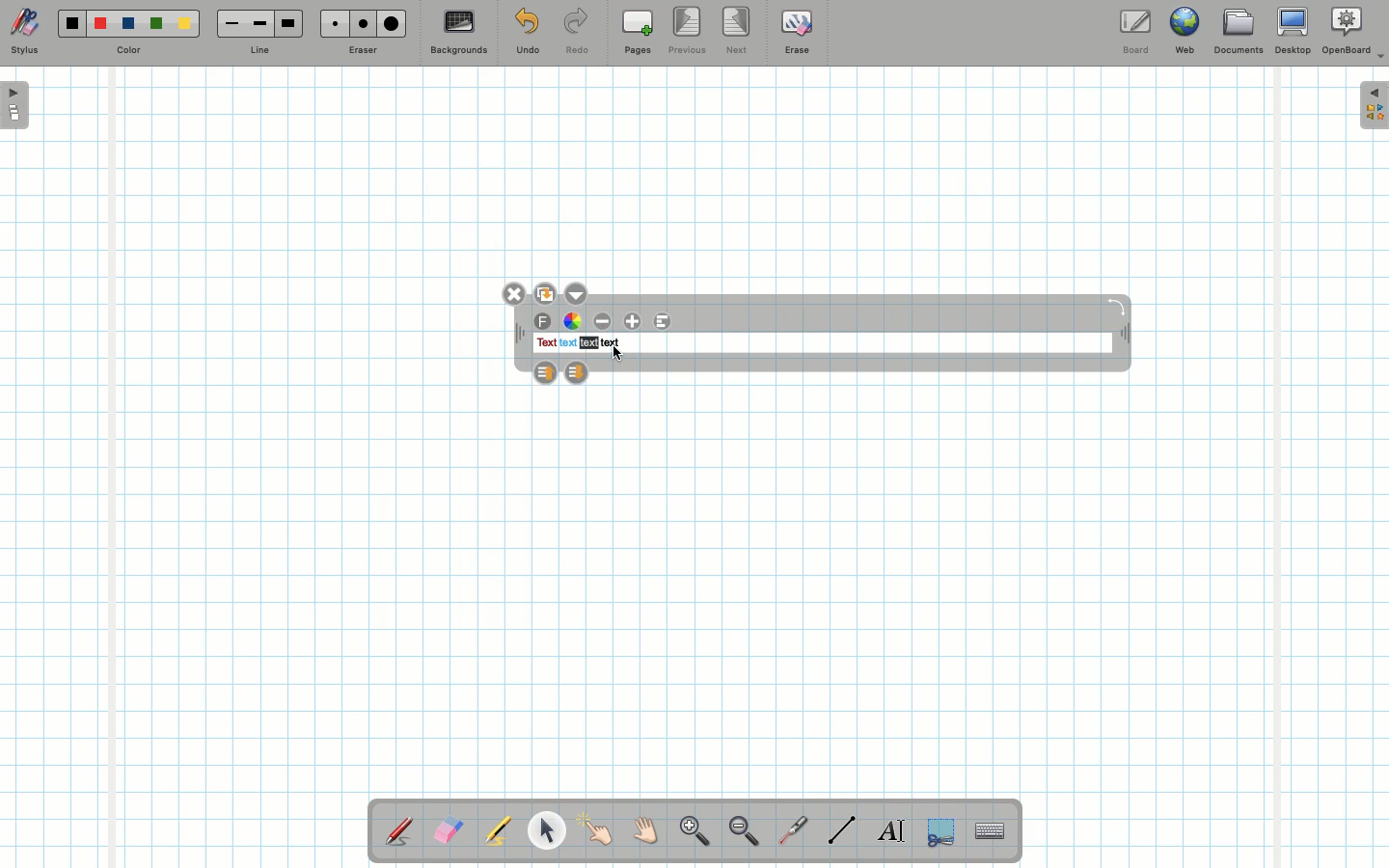 This screenshot has height=868, width=1389. What do you see at coordinates (572, 321) in the screenshot?
I see `Color wheel` at bounding box center [572, 321].